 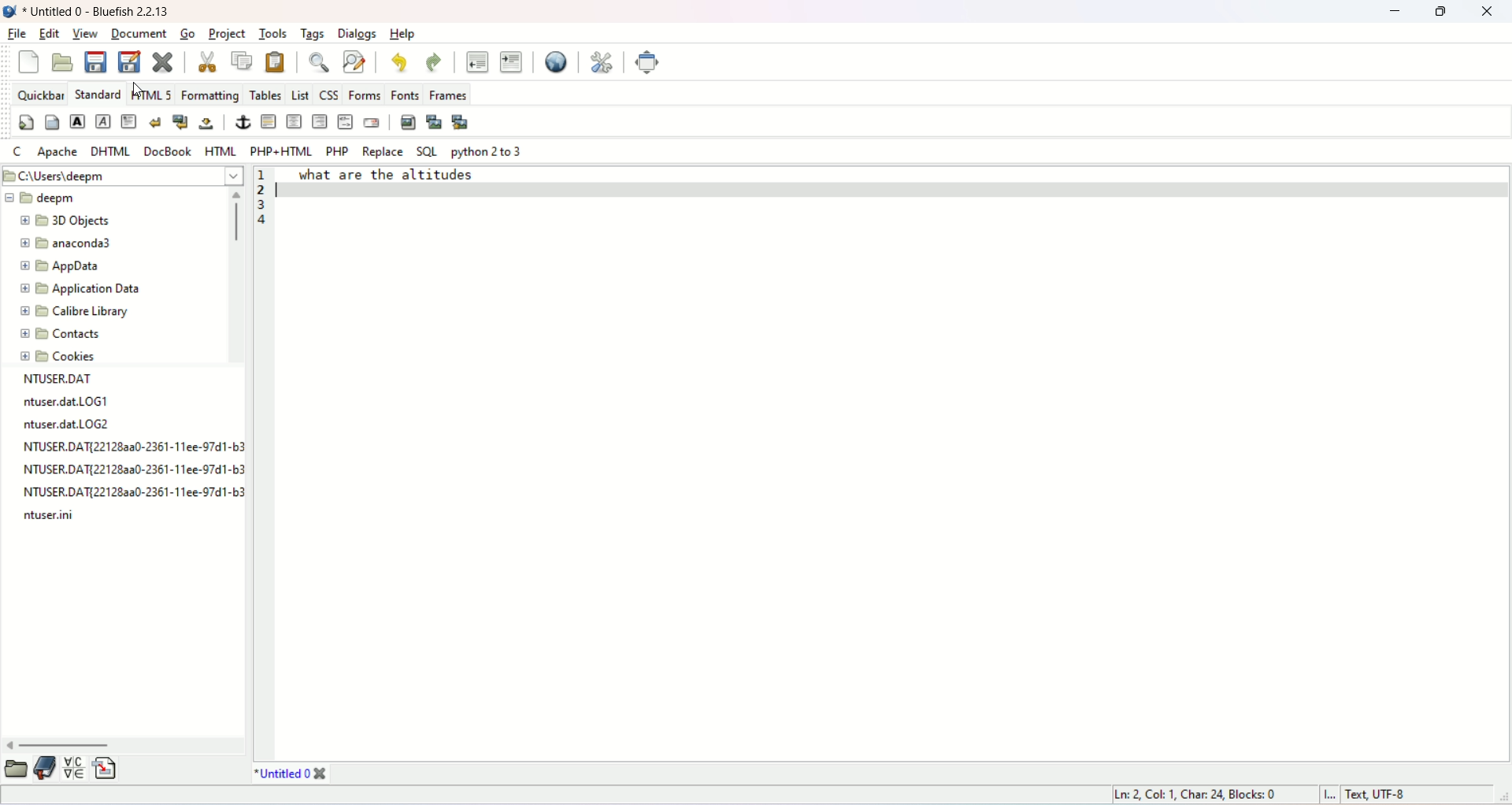 What do you see at coordinates (321, 62) in the screenshot?
I see `show find bar` at bounding box center [321, 62].